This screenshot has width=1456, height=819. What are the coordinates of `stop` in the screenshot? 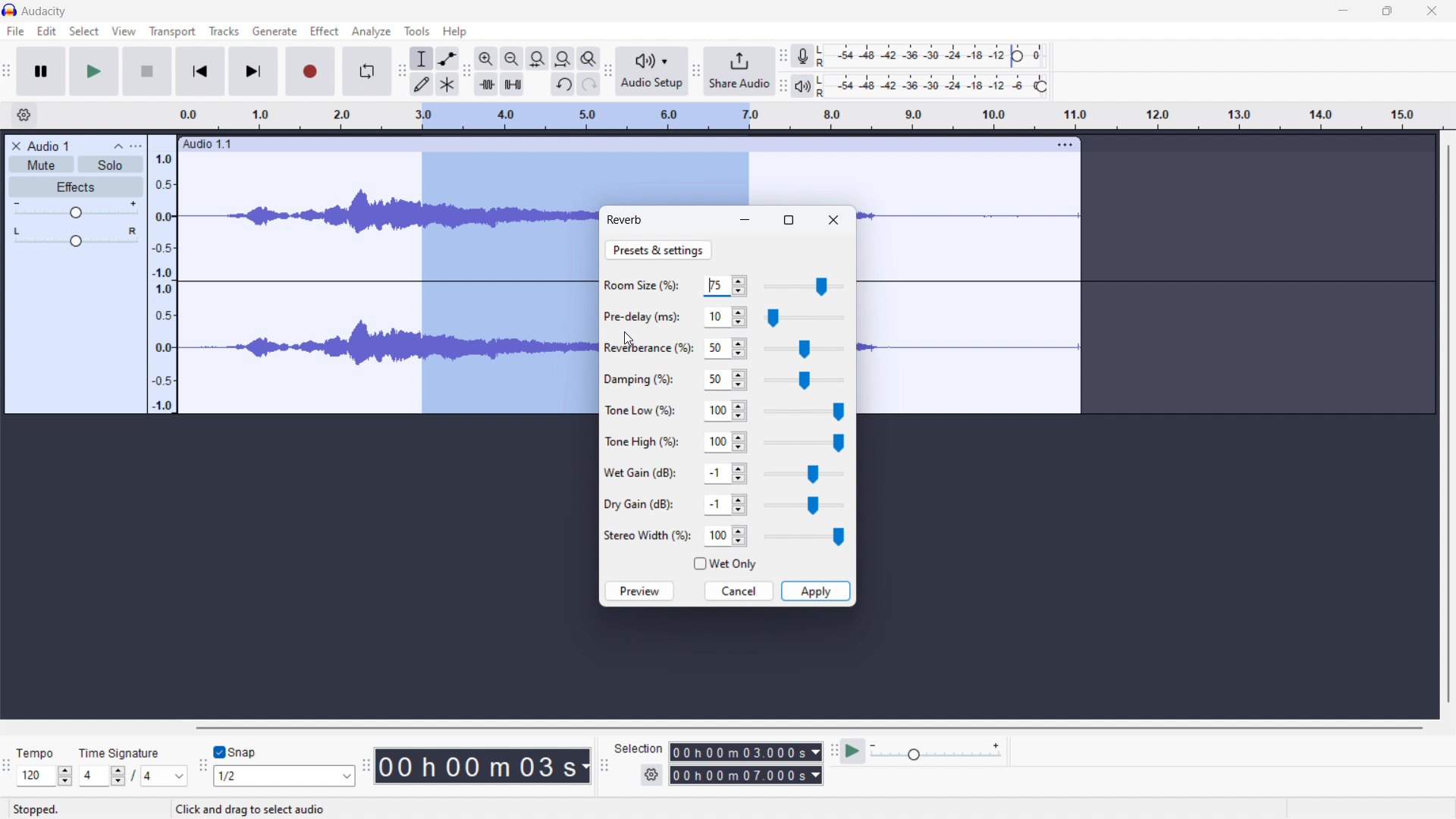 It's located at (147, 71).